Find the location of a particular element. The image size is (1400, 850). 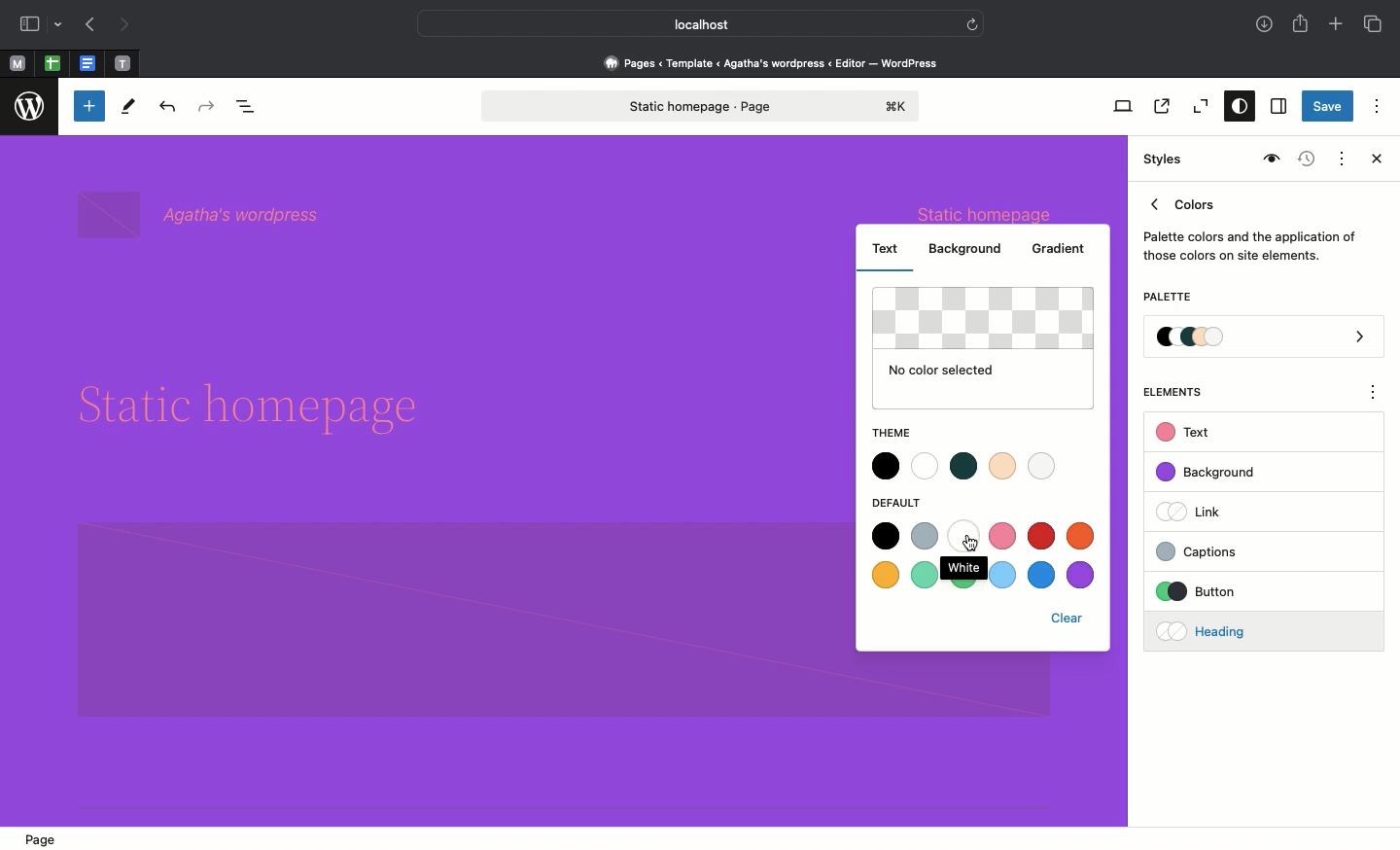

static homepage is located at coordinates (989, 212).